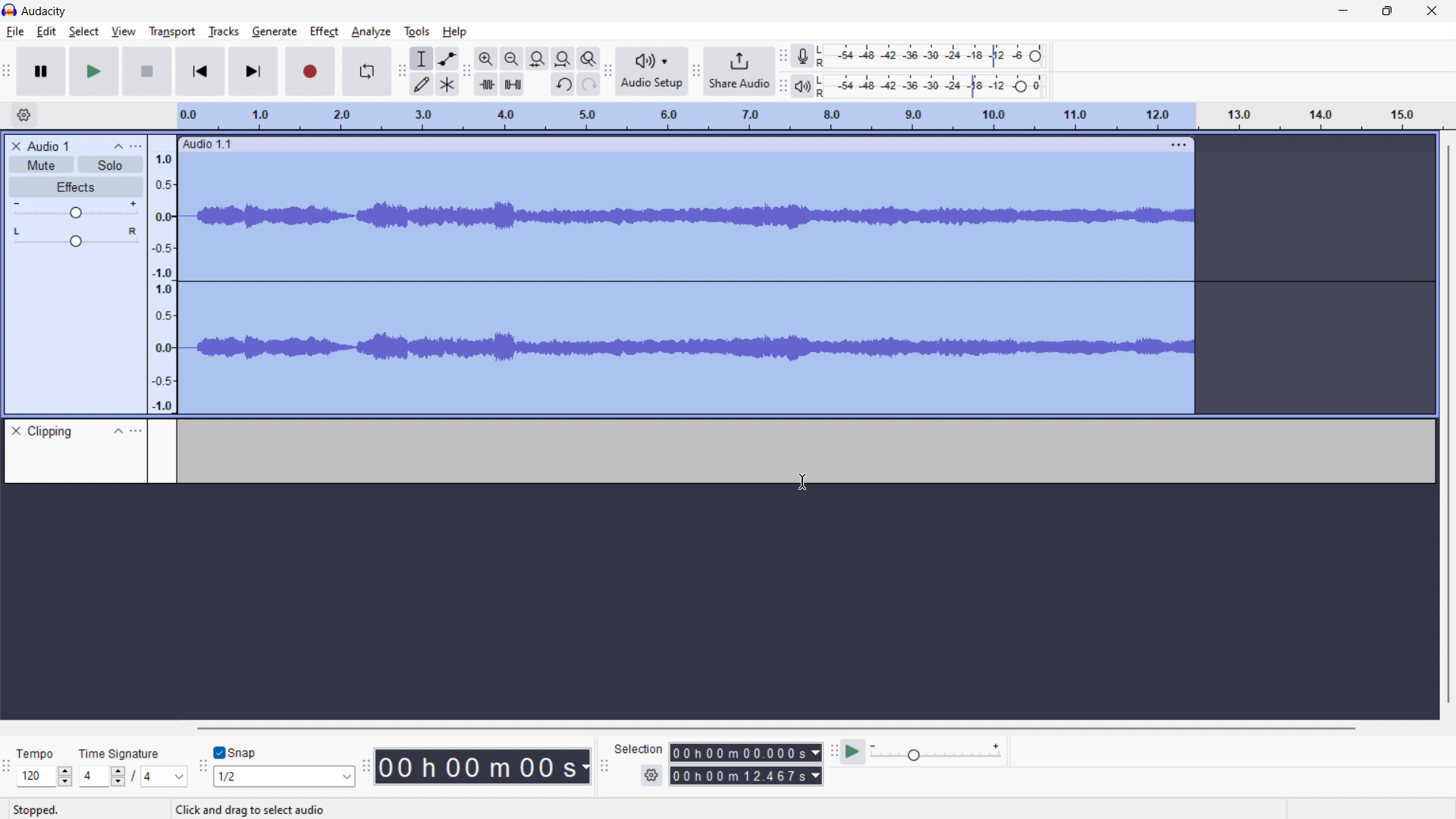 The width and height of the screenshot is (1456, 819). Describe the element at coordinates (652, 72) in the screenshot. I see `audio setup` at that location.